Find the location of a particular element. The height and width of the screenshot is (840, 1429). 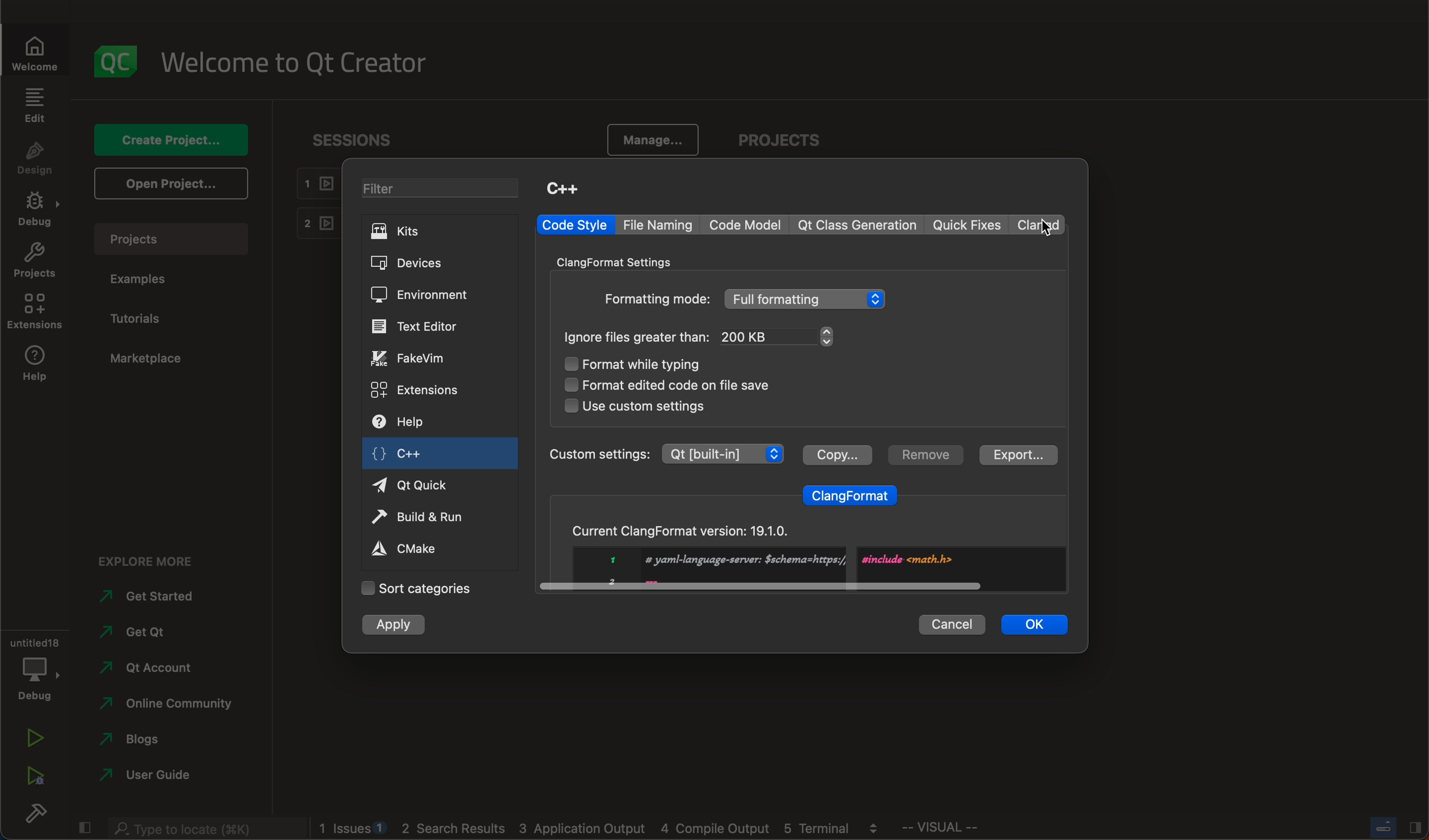

debug is located at coordinates (37, 672).